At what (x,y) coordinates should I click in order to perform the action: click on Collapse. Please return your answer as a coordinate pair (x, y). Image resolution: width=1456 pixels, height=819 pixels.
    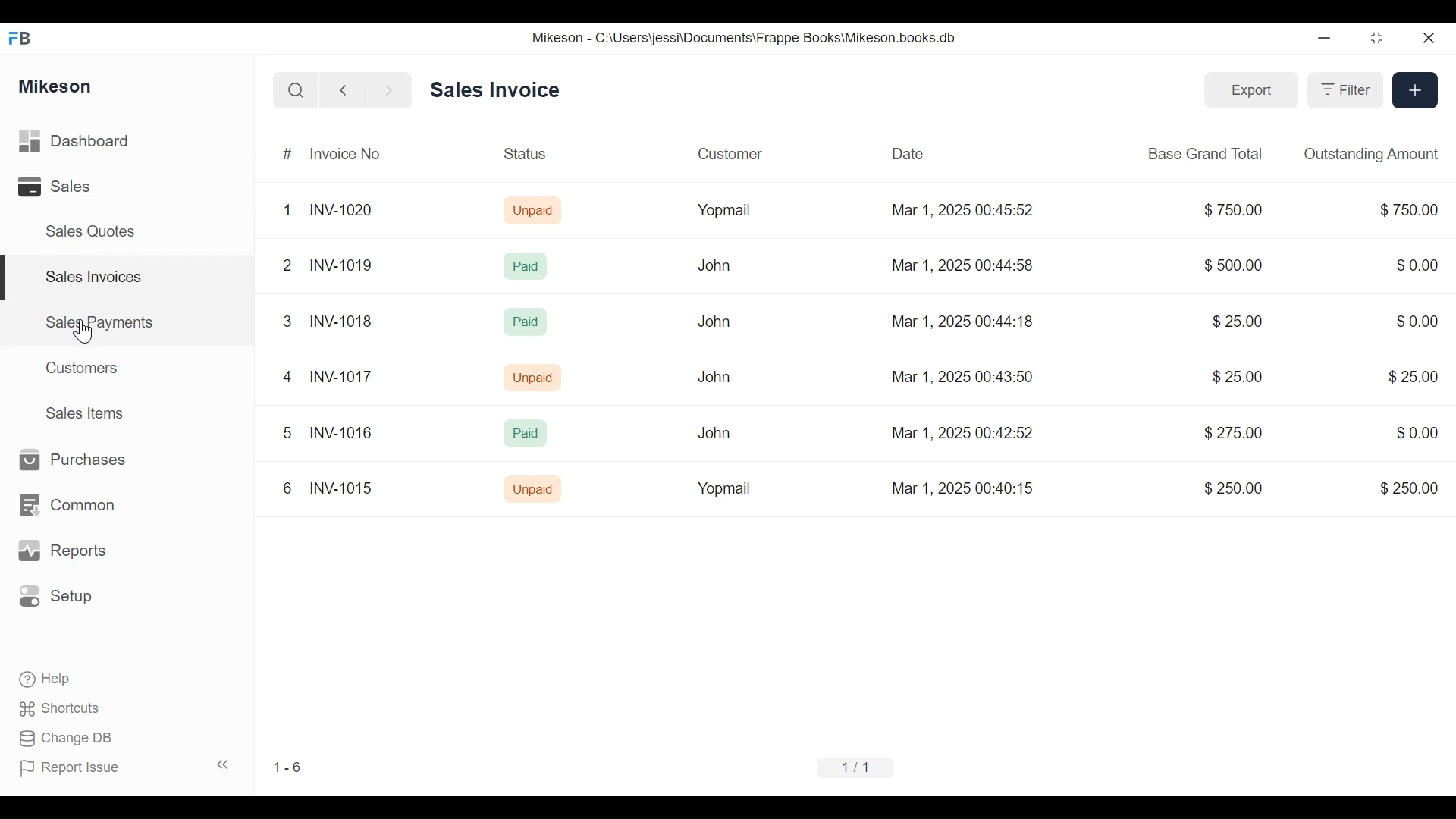
    Looking at the image, I should click on (226, 766).